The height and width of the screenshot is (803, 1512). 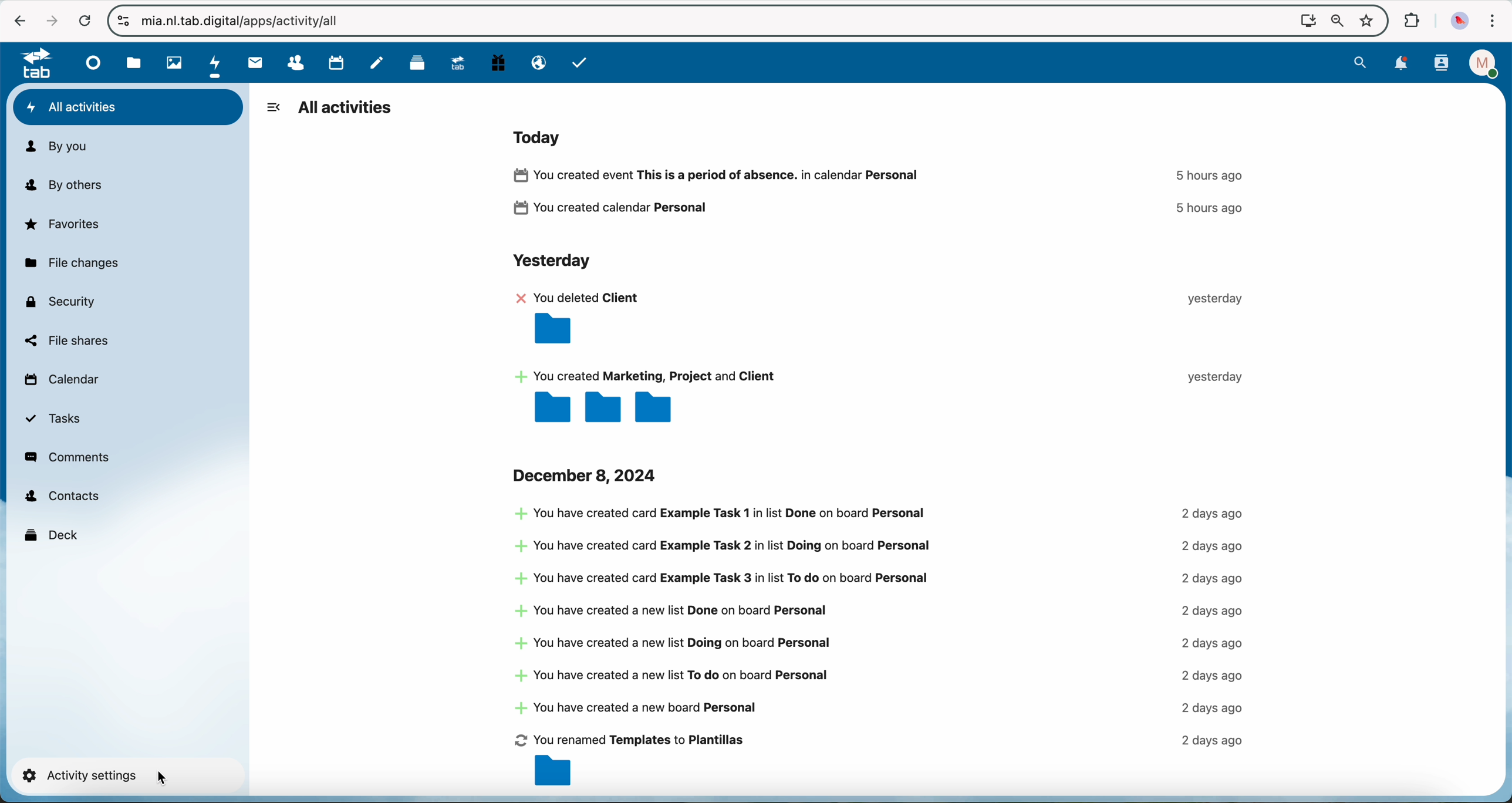 I want to click on search, so click(x=1360, y=62).